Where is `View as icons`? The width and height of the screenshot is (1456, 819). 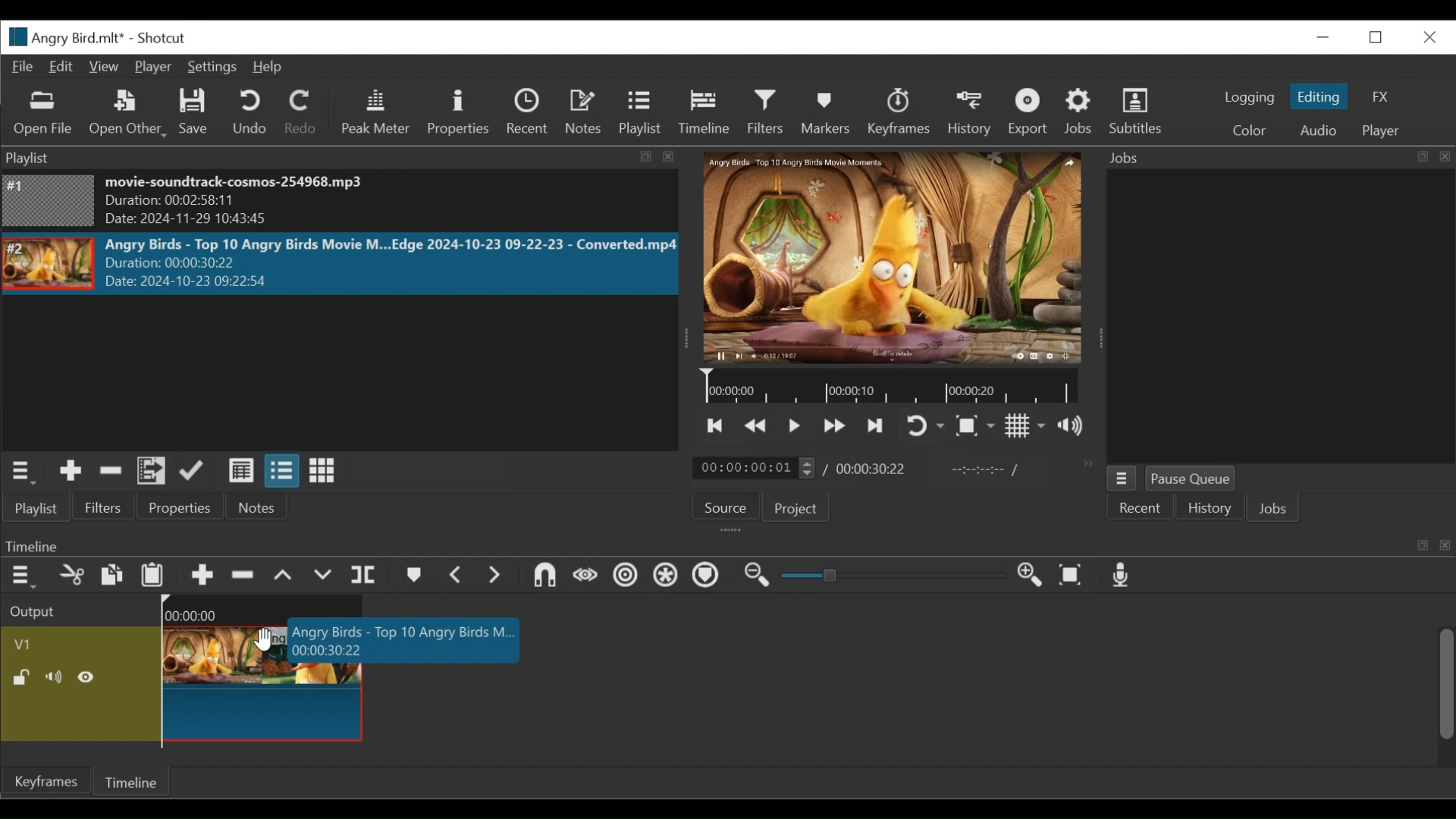
View as icons is located at coordinates (322, 471).